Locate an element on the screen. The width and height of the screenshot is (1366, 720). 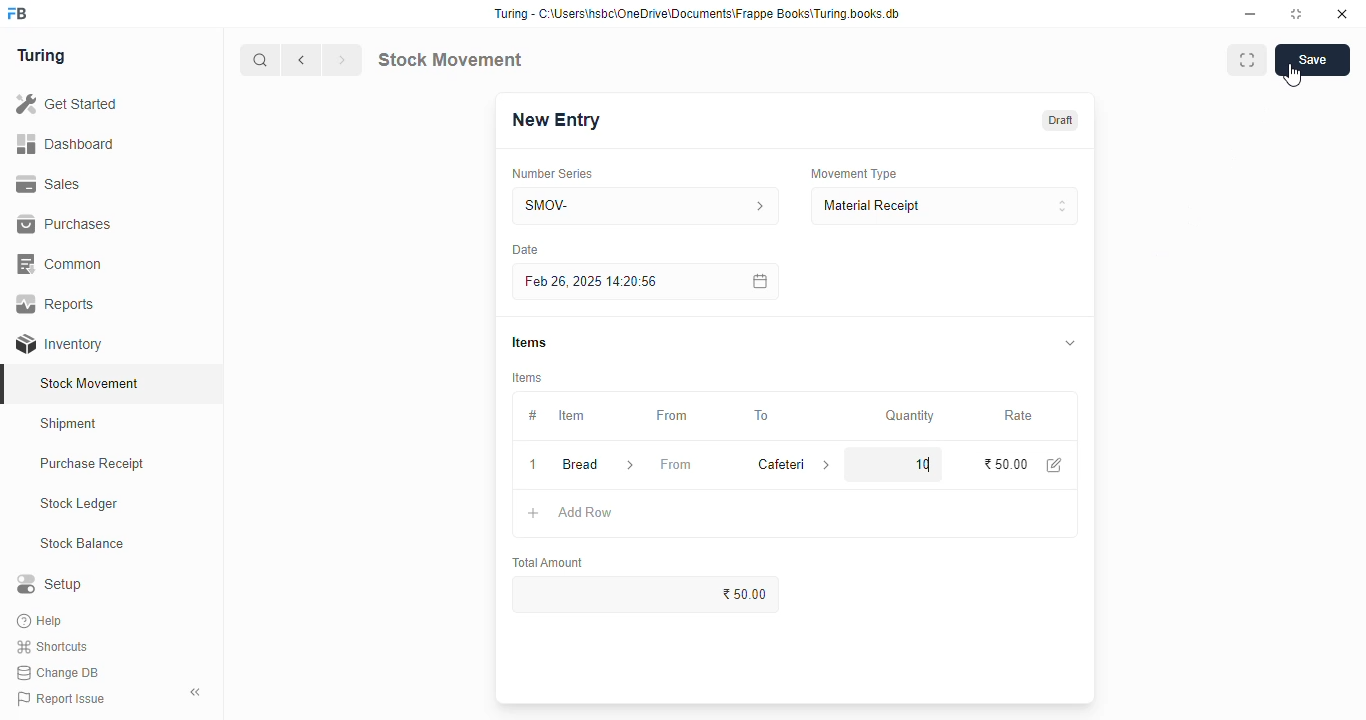
total amount is located at coordinates (549, 563).